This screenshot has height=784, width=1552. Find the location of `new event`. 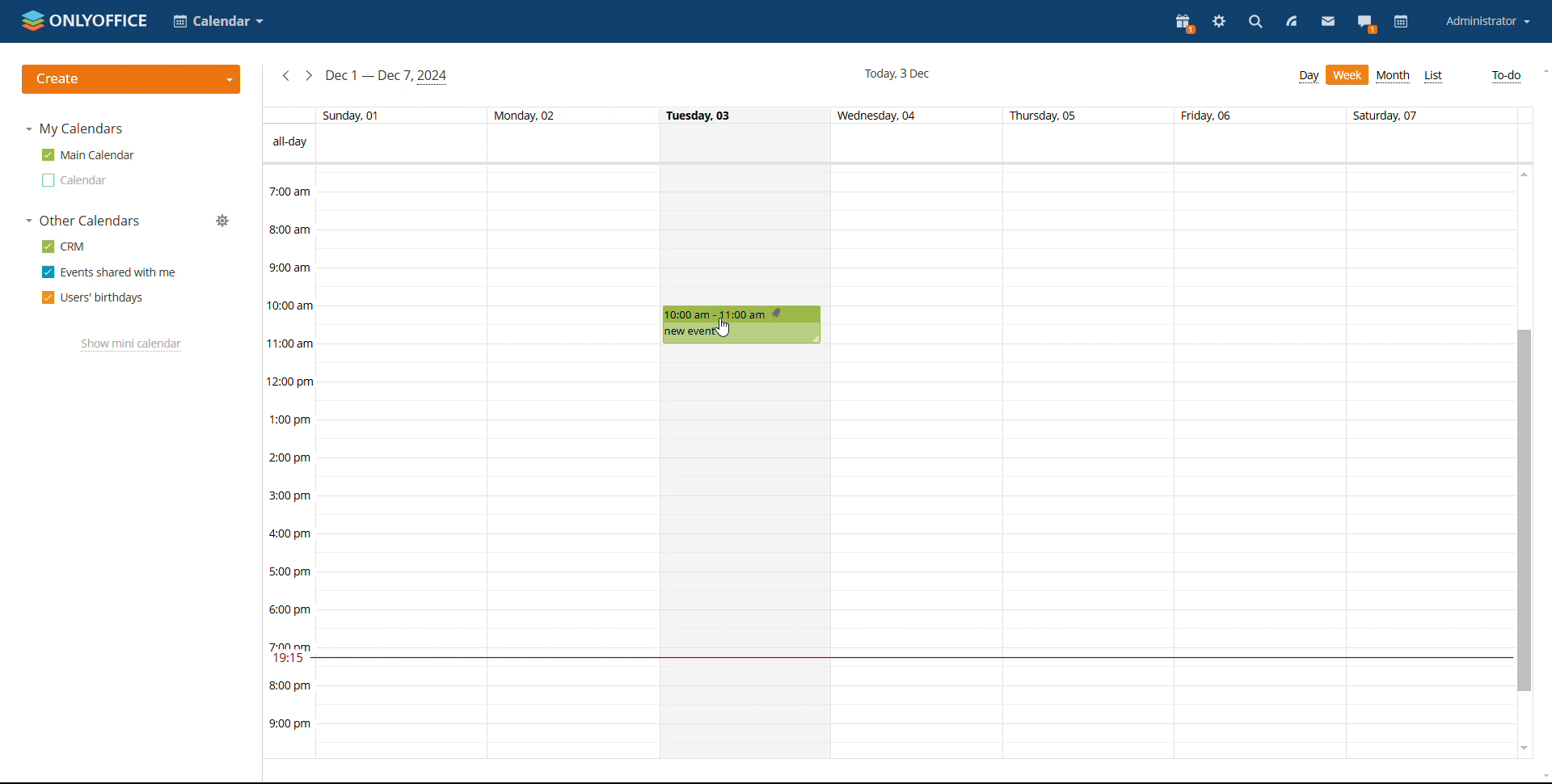

new event is located at coordinates (689, 332).